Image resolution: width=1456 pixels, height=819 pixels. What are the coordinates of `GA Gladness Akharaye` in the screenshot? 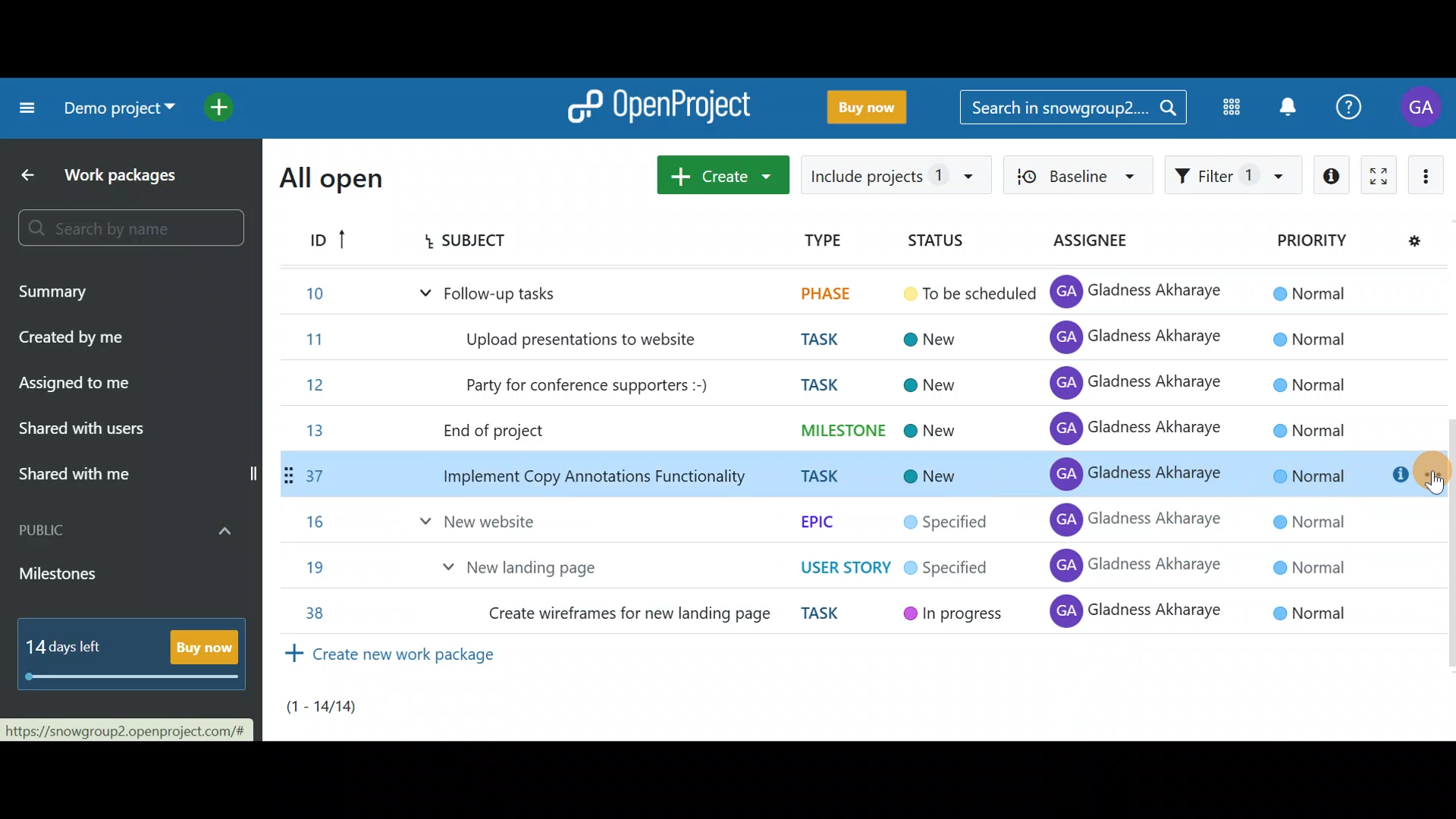 It's located at (1128, 384).